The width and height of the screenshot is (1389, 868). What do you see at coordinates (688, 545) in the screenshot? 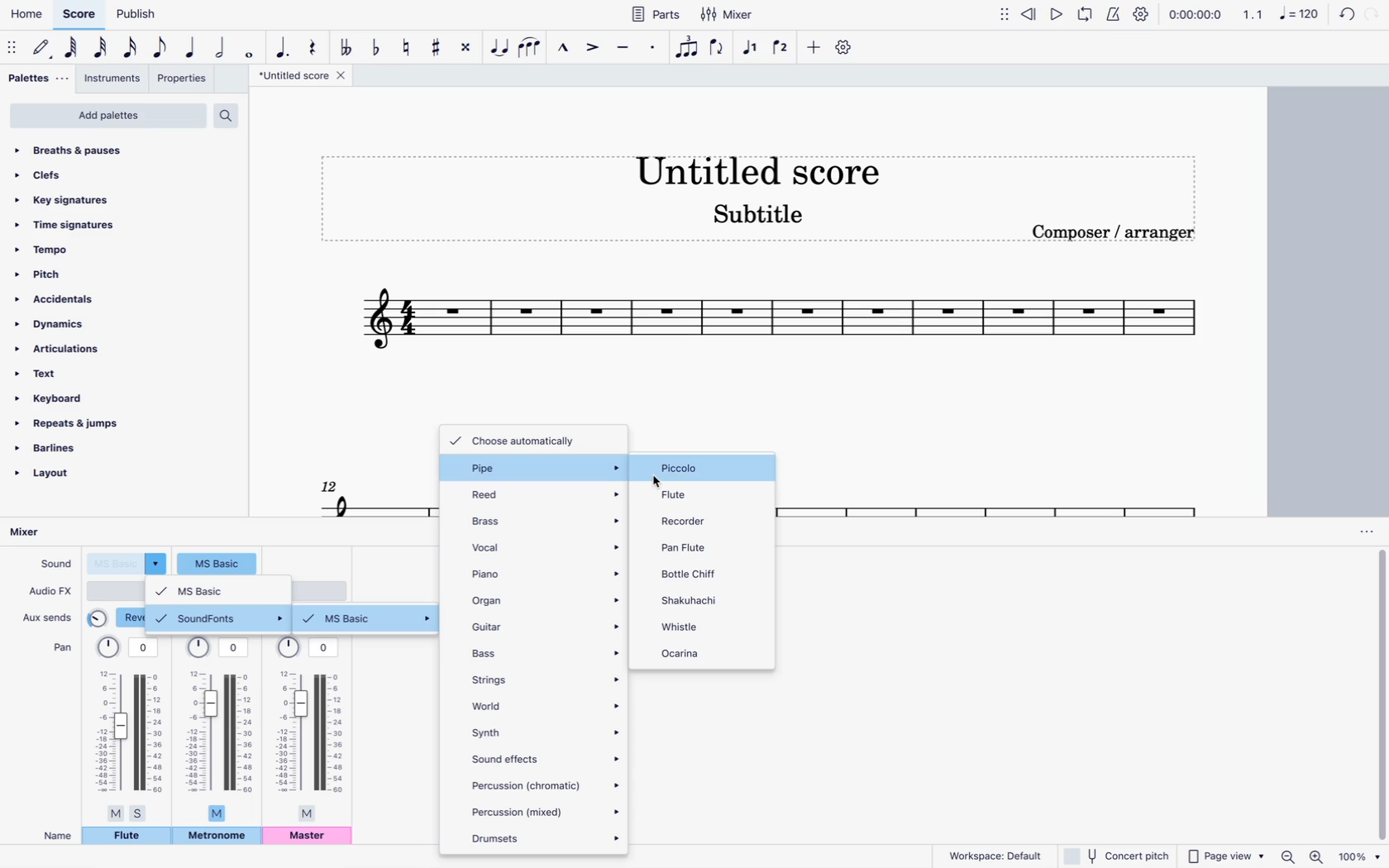
I see `pan flute` at bounding box center [688, 545].